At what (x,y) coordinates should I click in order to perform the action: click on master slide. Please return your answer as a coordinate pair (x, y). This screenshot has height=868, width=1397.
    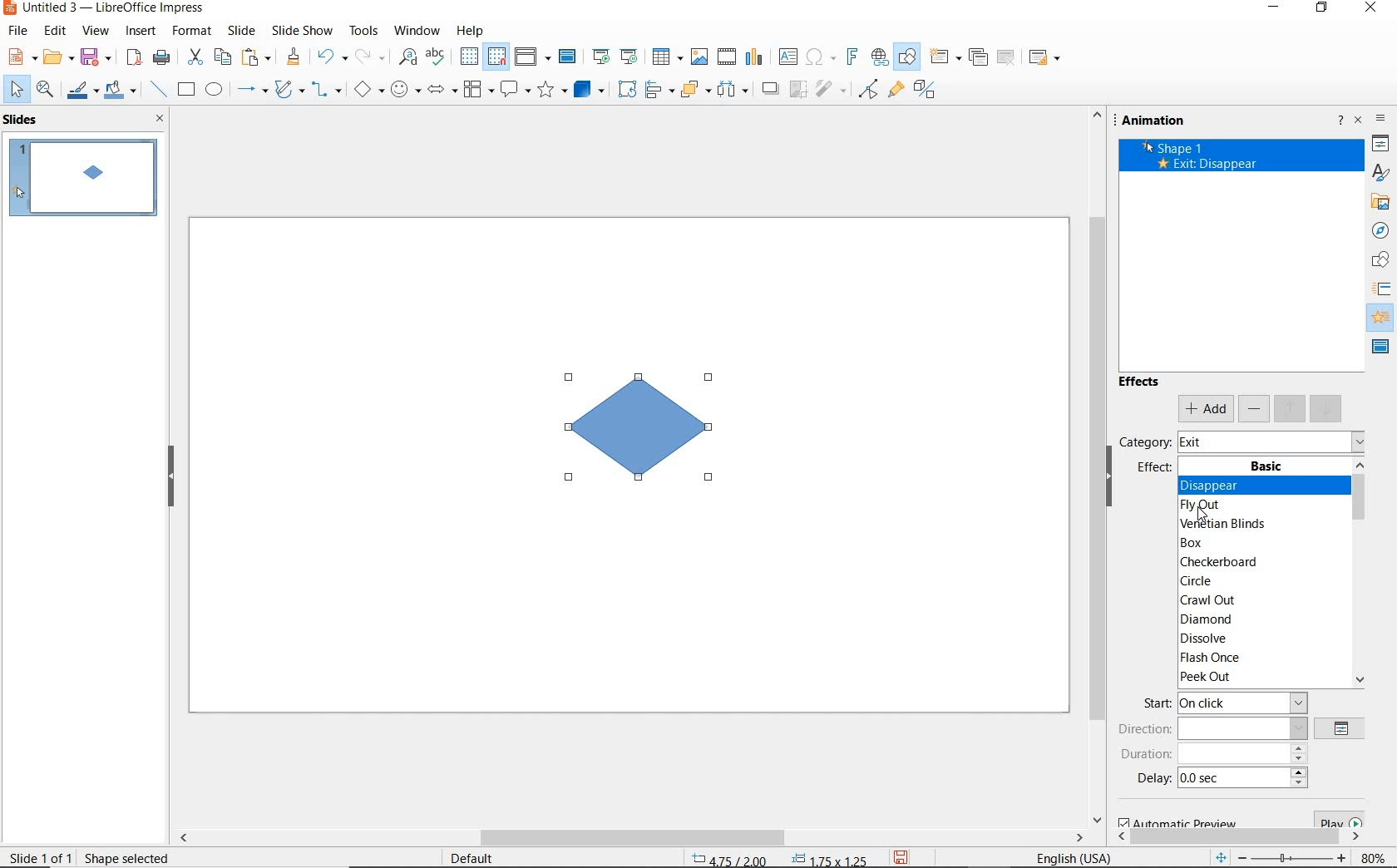
    Looking at the image, I should click on (1380, 348).